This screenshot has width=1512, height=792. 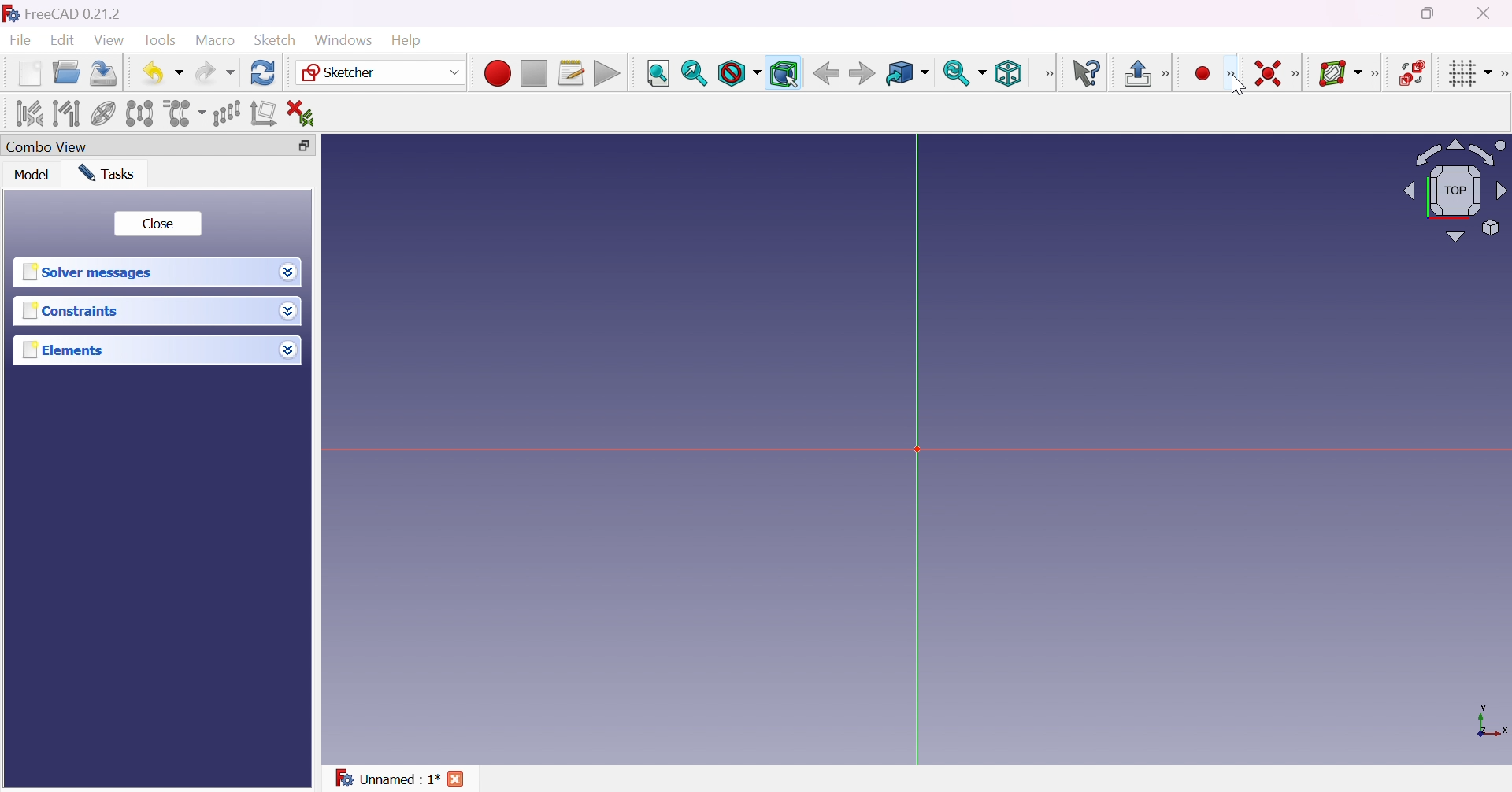 I want to click on Sketcher constraints, so click(x=1299, y=75).